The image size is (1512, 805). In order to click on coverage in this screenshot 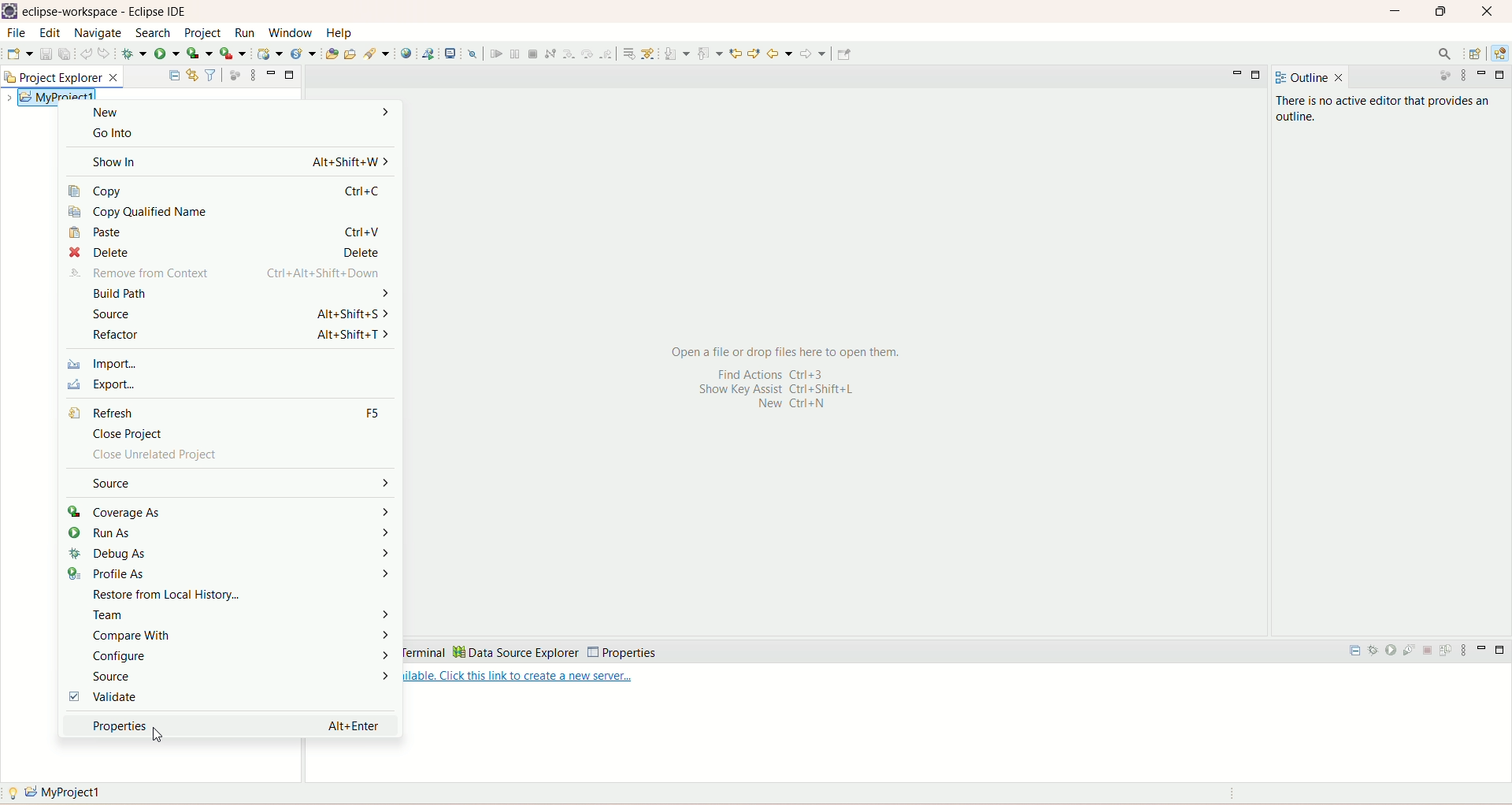, I will do `click(199, 54)`.